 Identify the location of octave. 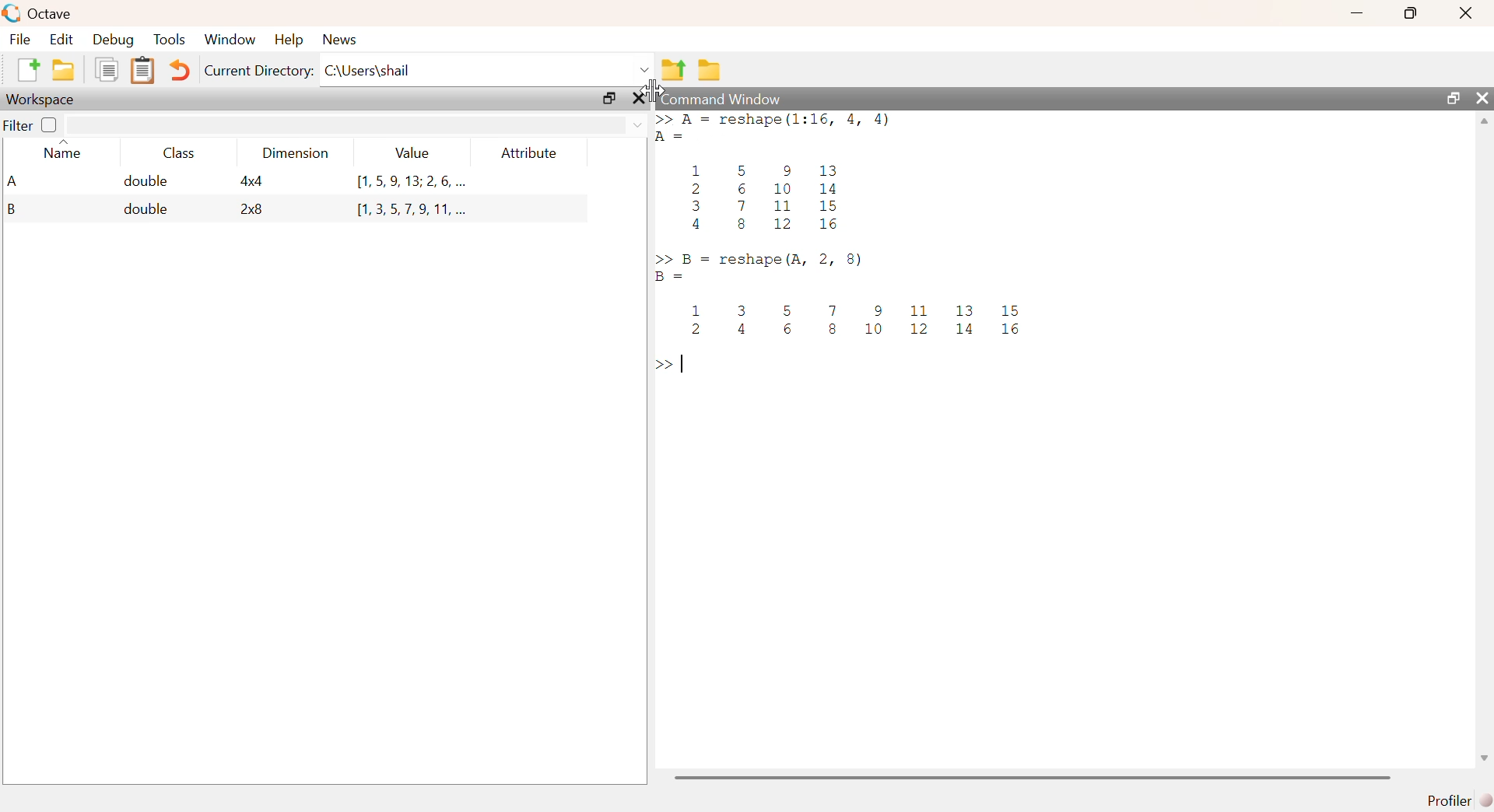
(39, 12).